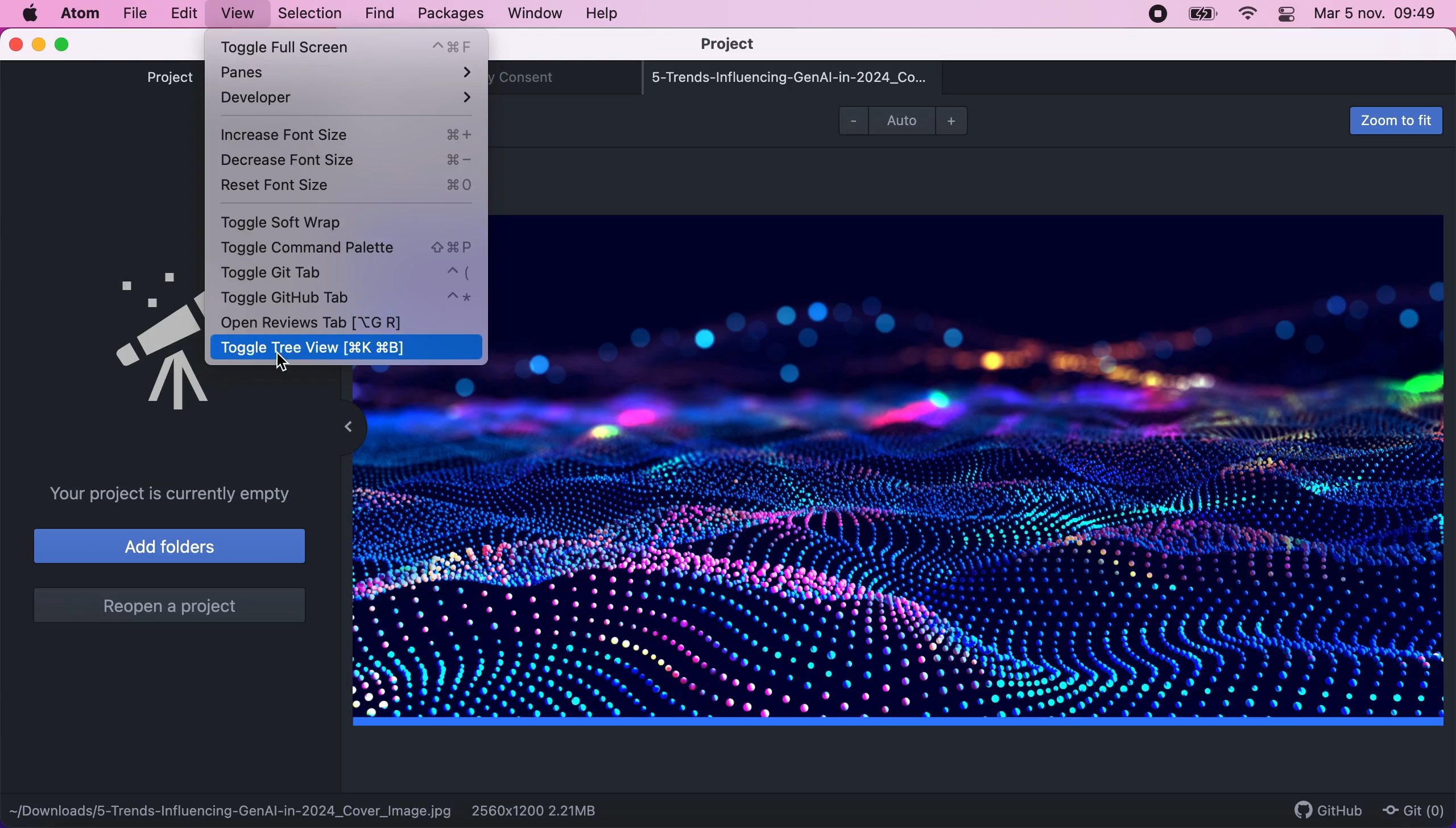  Describe the element at coordinates (348, 348) in the screenshot. I see `toggle tree view` at that location.